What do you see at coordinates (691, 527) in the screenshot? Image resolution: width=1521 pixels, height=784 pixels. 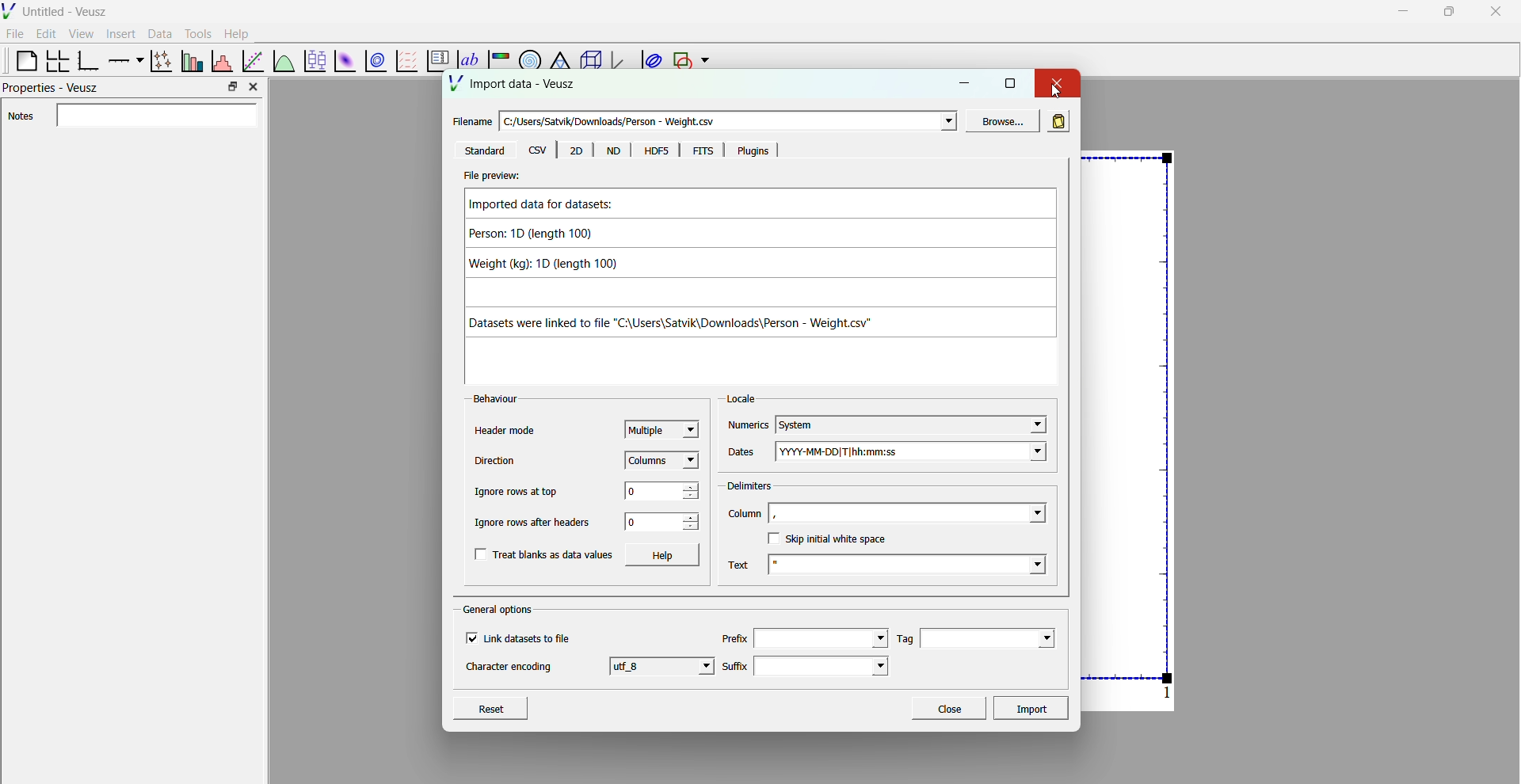 I see `decrease value` at bounding box center [691, 527].